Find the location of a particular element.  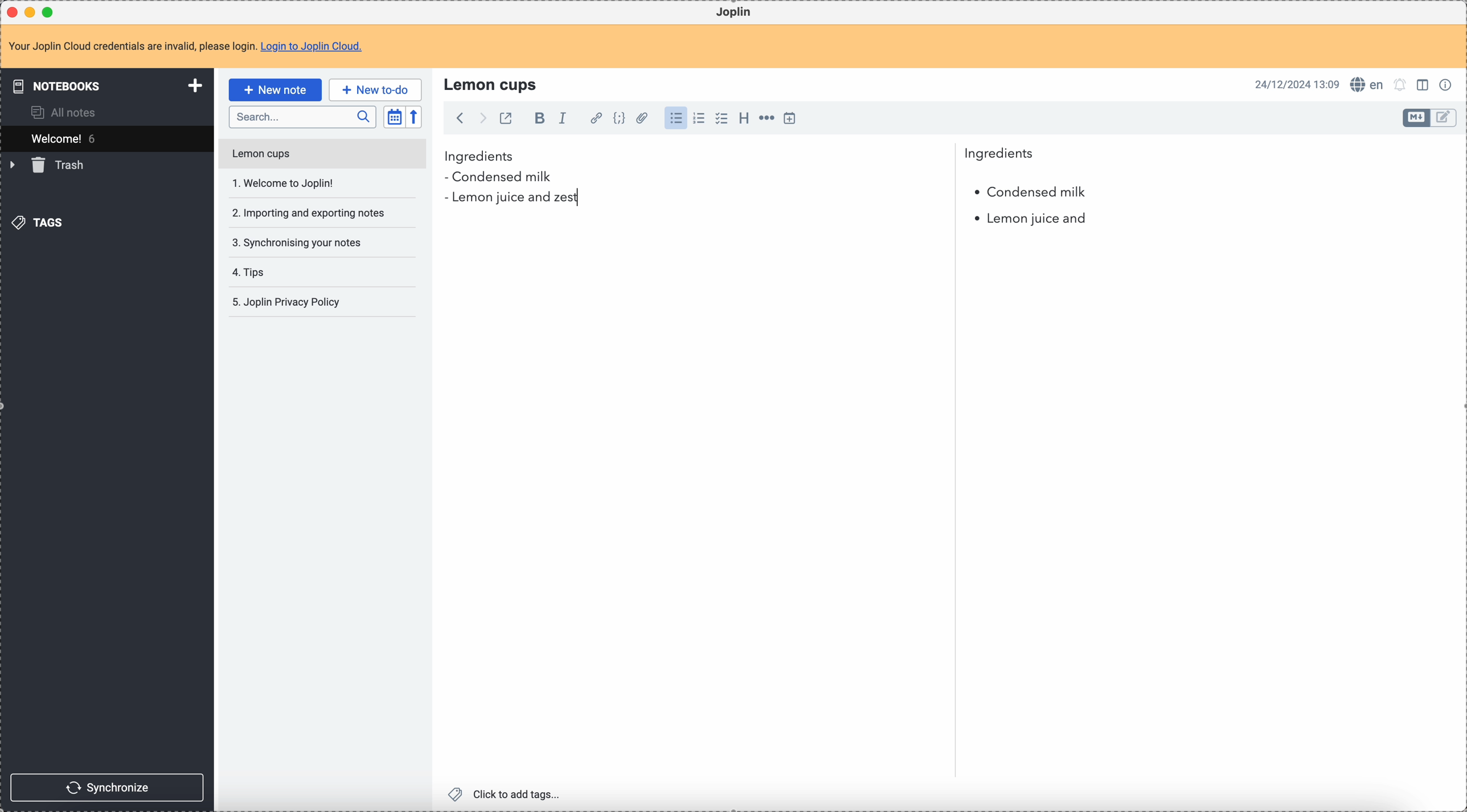

welcome to Joplin! is located at coordinates (284, 183).